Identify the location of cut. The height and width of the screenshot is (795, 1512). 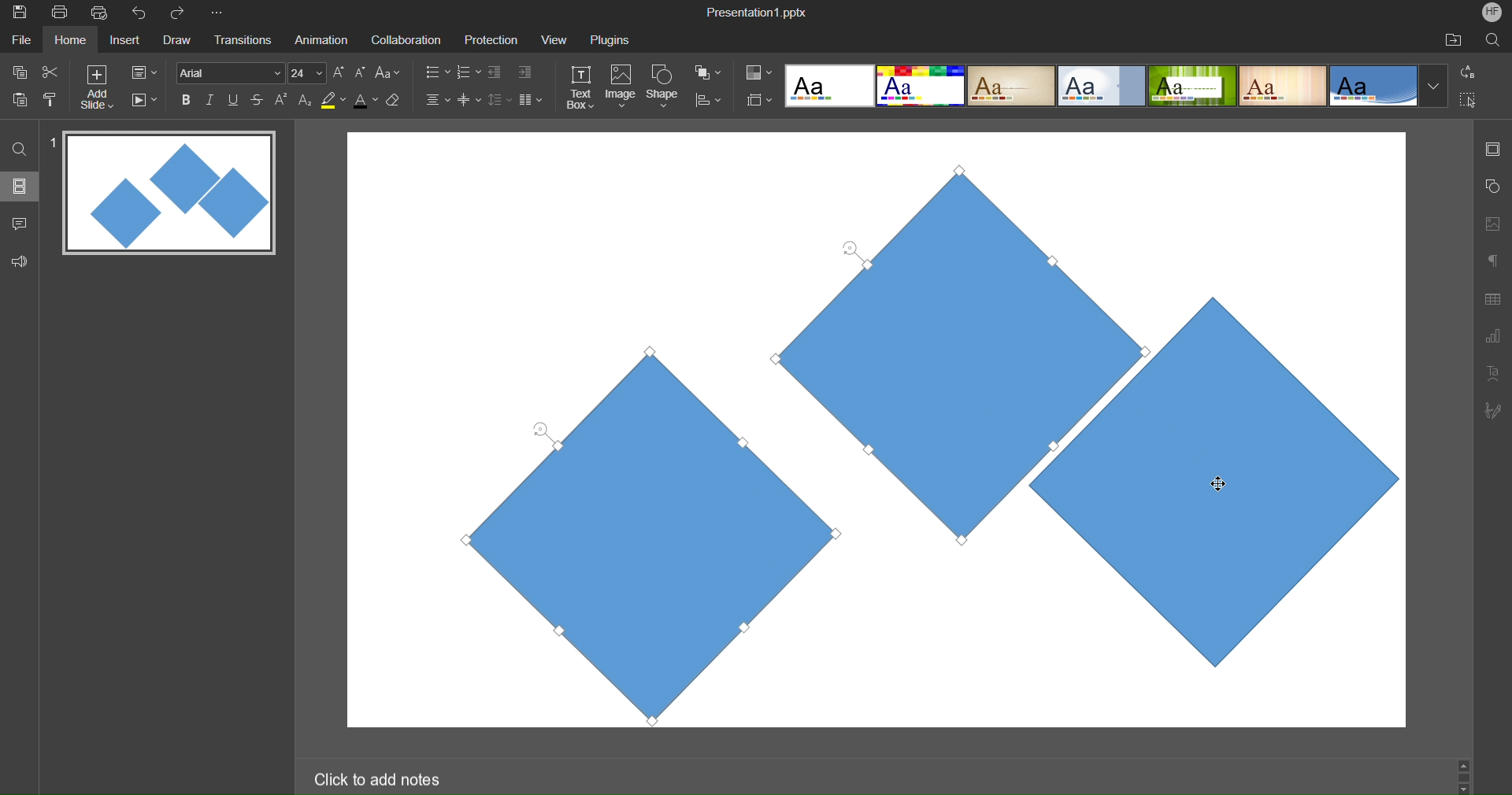
(50, 71).